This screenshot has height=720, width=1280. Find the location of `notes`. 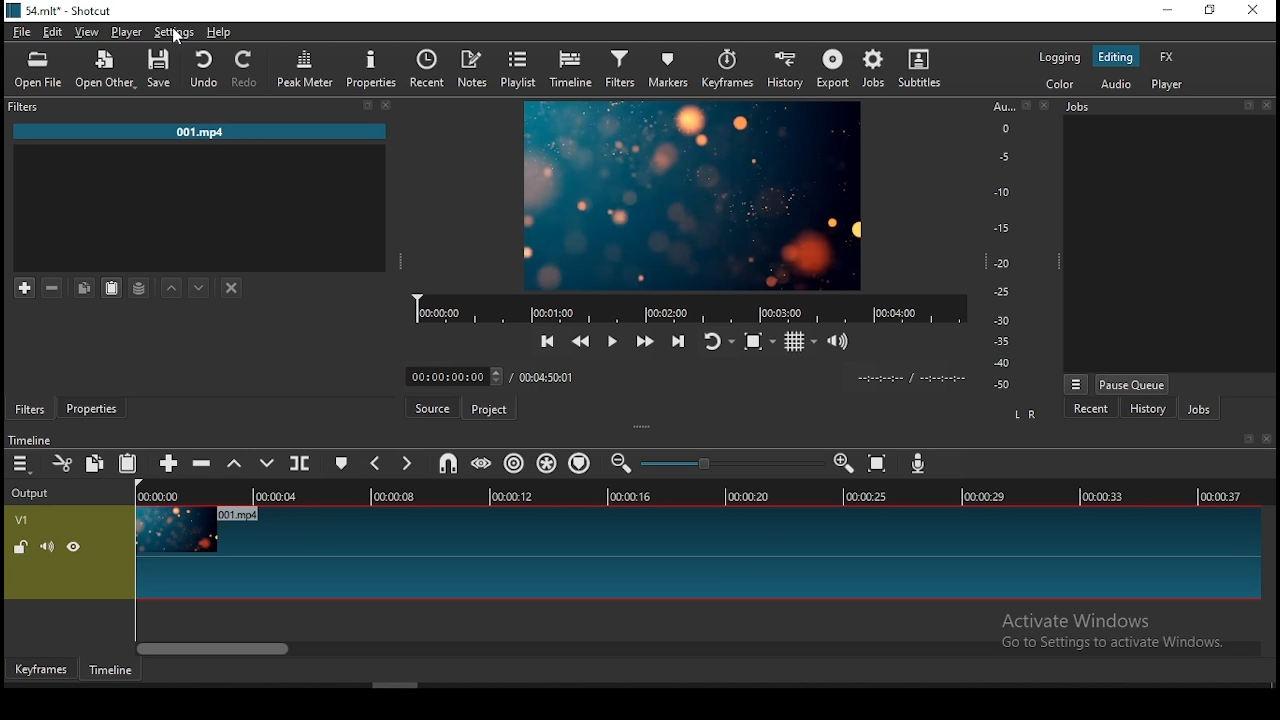

notes is located at coordinates (472, 69).